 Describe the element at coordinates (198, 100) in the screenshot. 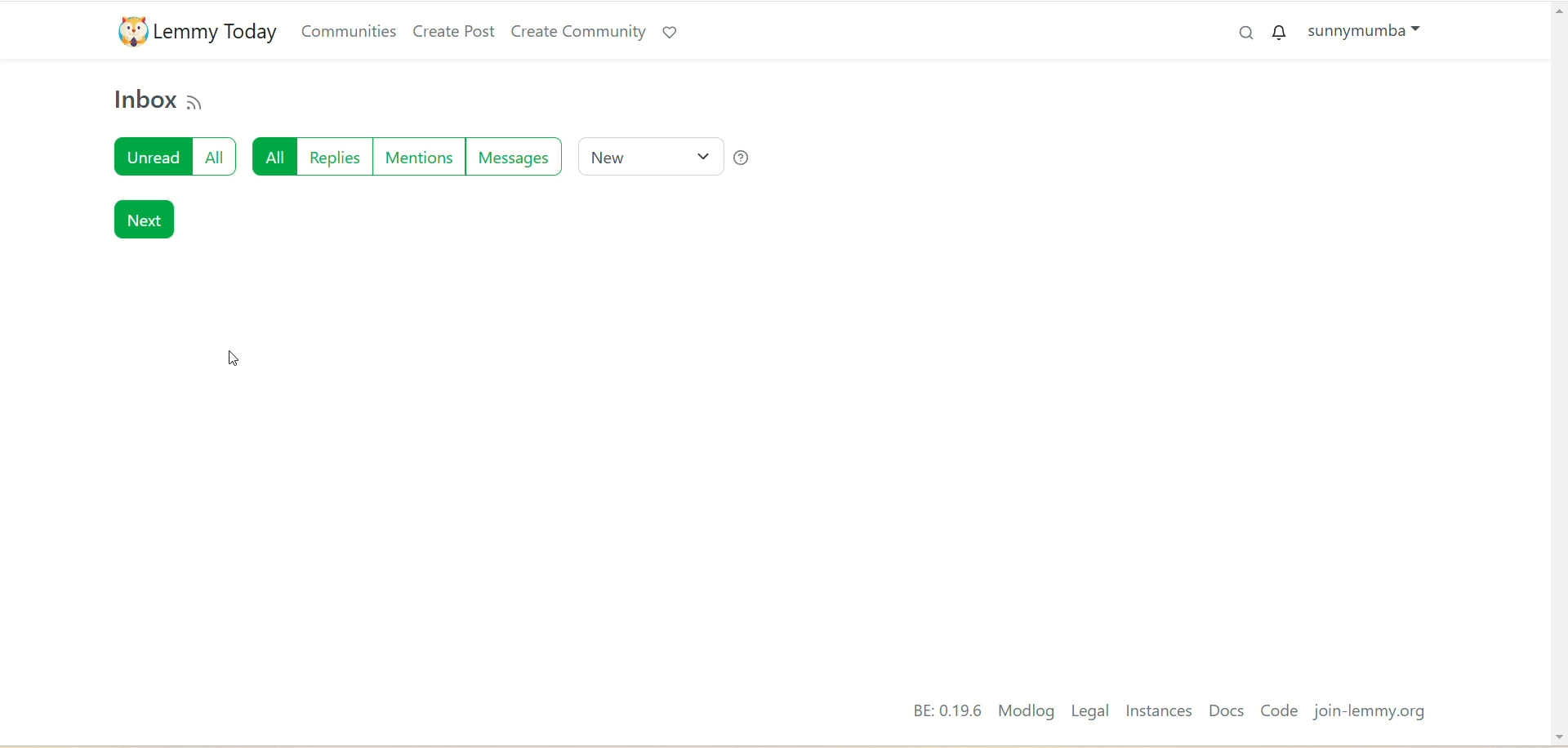

I see `RSS` at that location.